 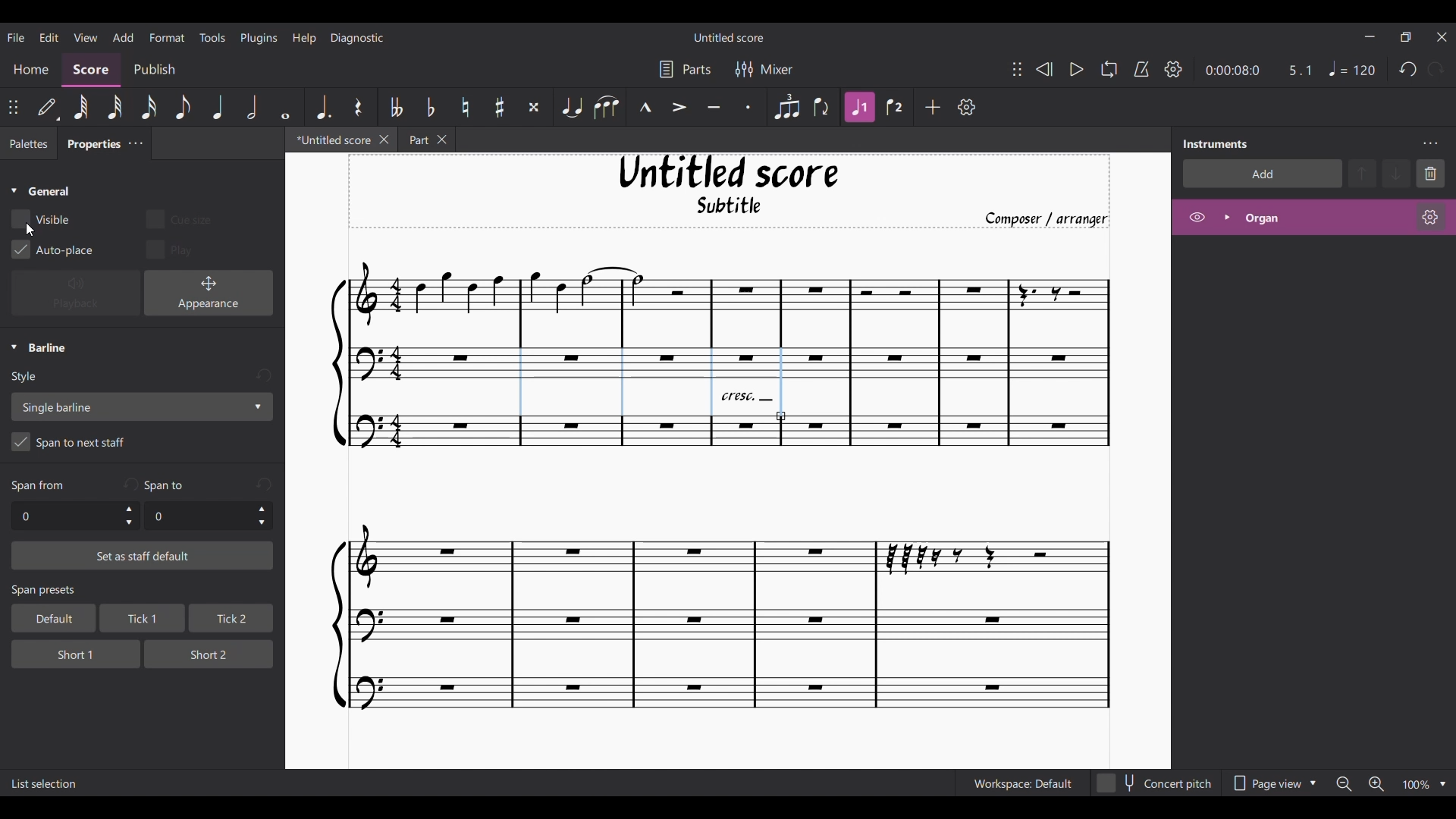 I want to click on Parts settings, so click(x=686, y=69).